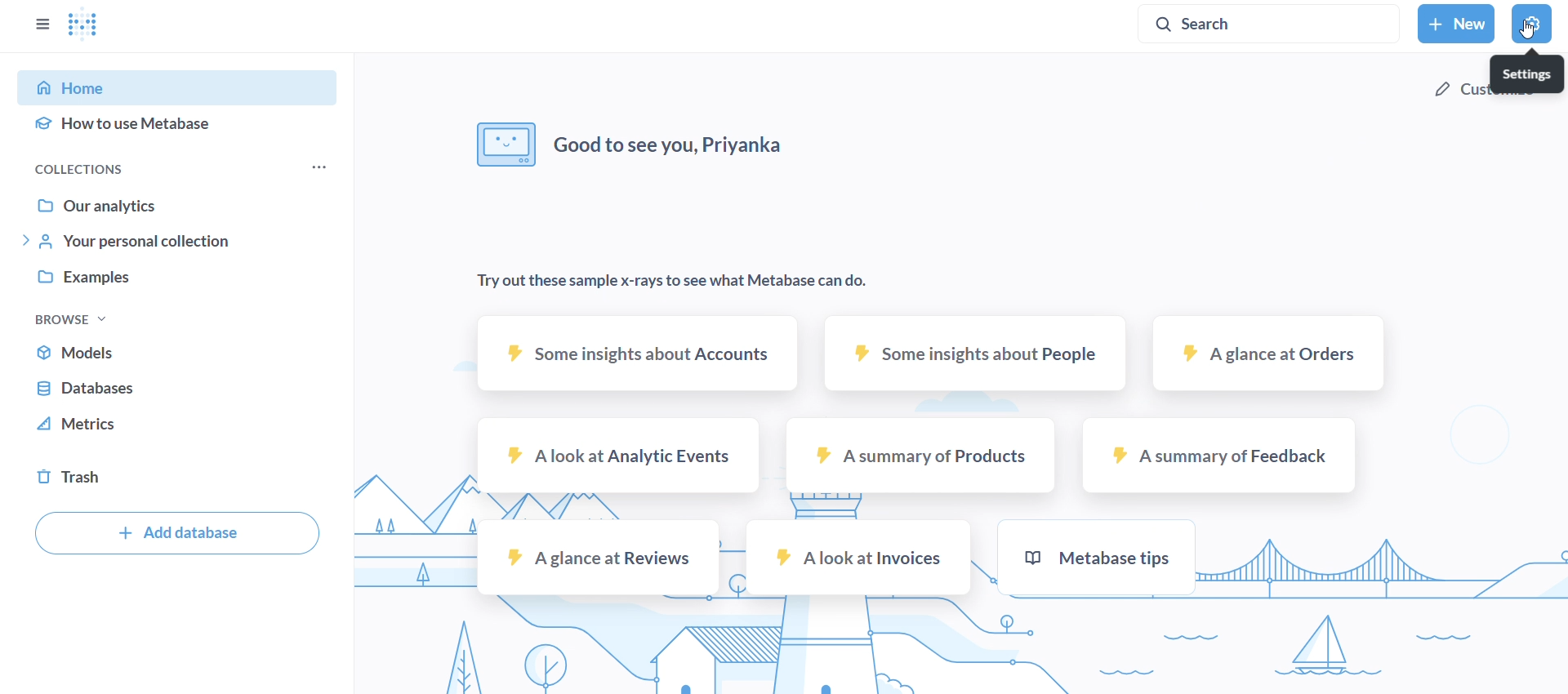 The height and width of the screenshot is (694, 1568). What do you see at coordinates (921, 456) in the screenshot?
I see `a summary of products` at bounding box center [921, 456].